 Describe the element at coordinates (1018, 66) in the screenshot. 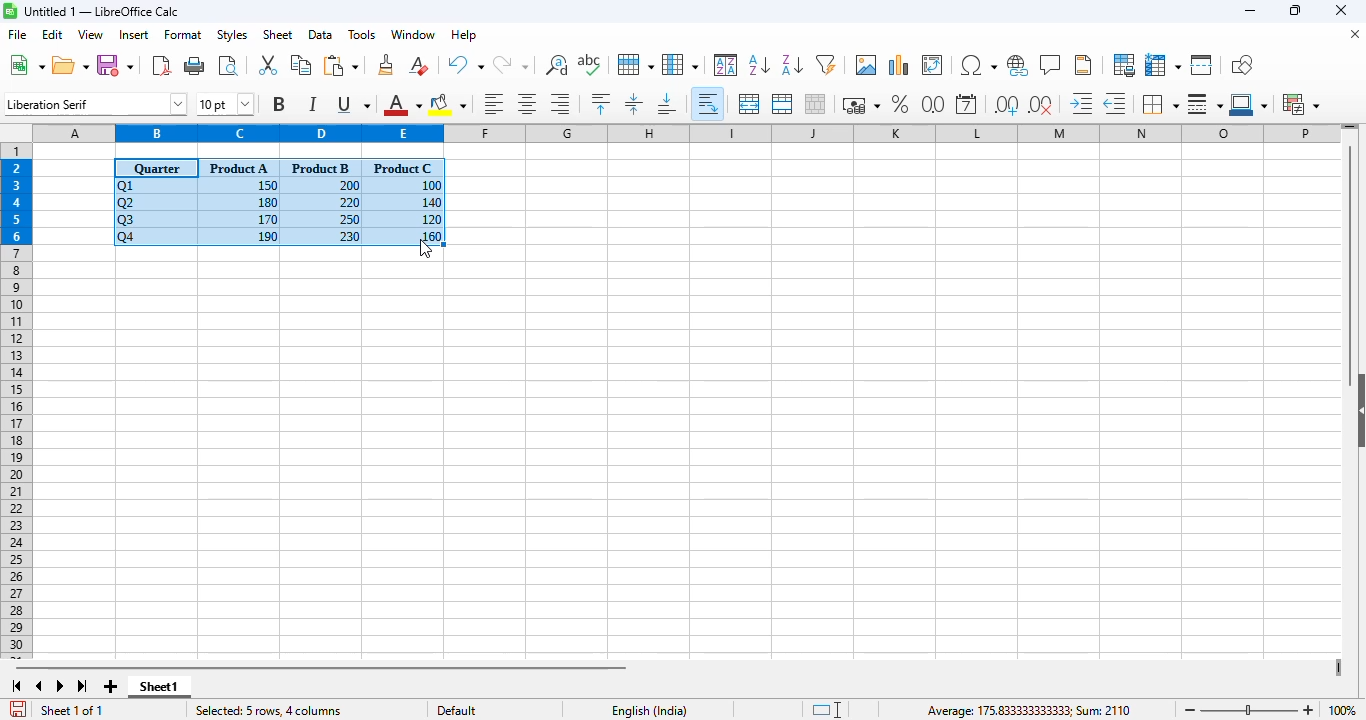

I see `insert hyperlink` at that location.